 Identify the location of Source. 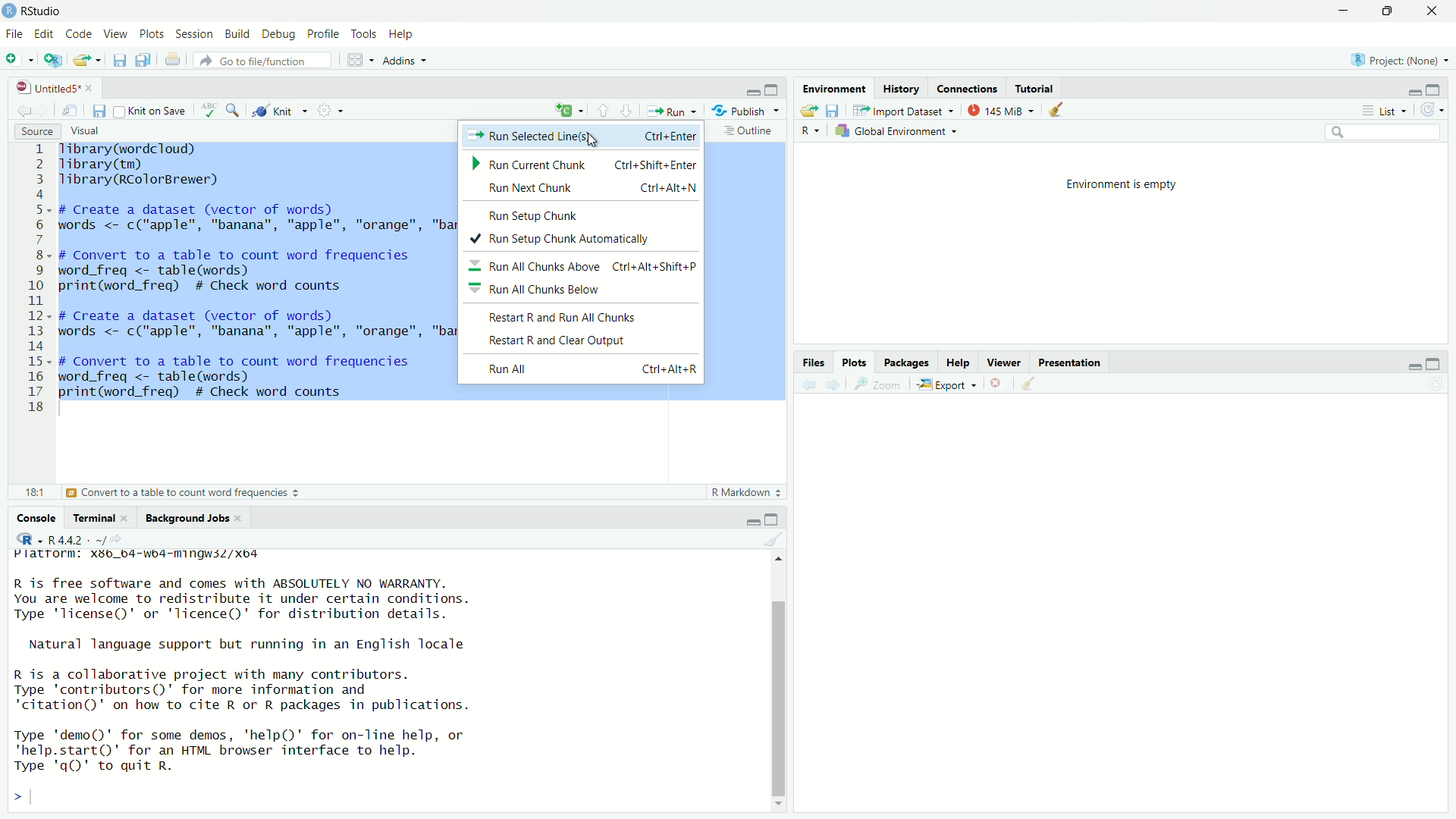
(35, 131).